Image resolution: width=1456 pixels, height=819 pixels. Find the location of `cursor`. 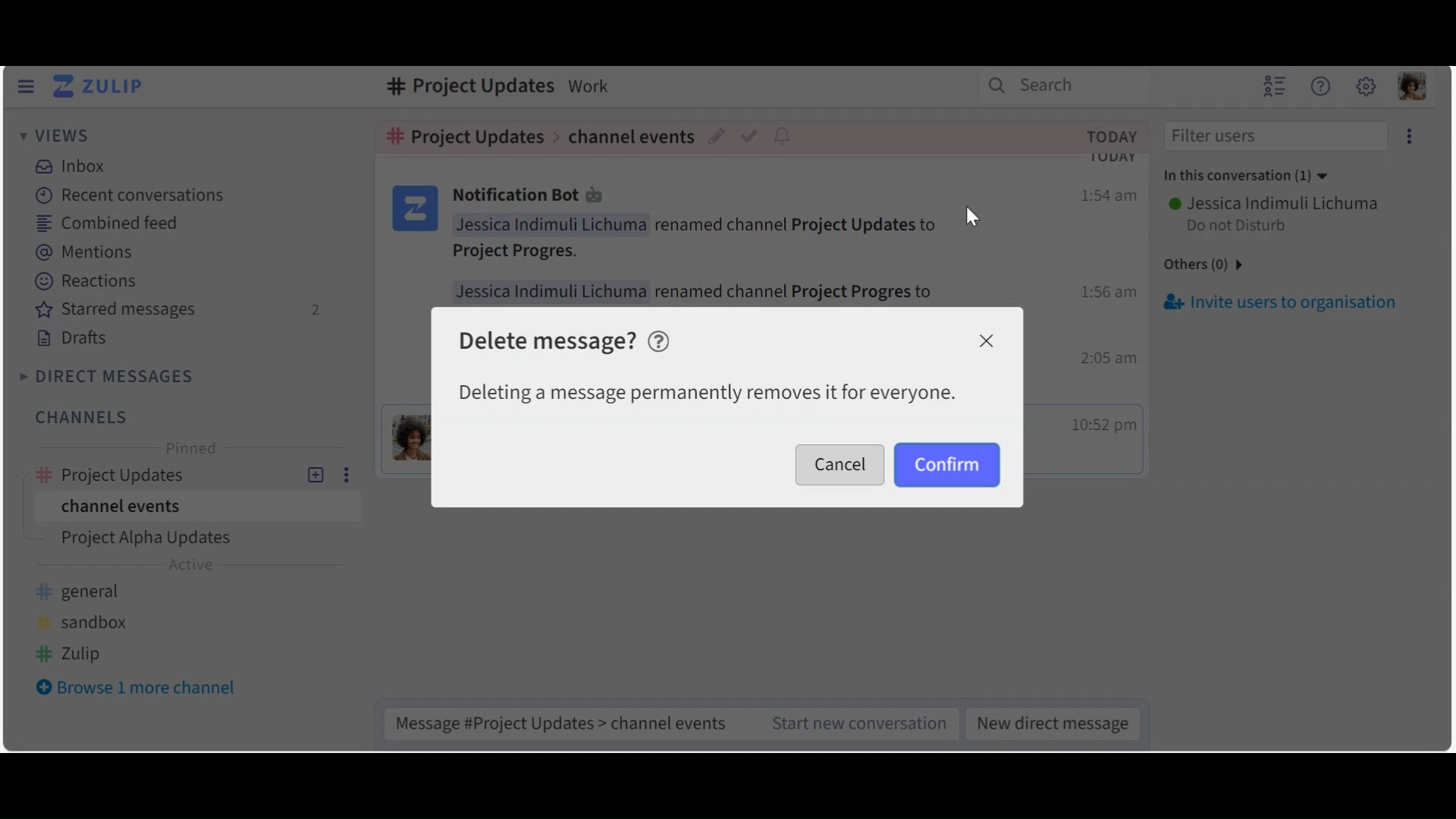

cursor is located at coordinates (972, 218).